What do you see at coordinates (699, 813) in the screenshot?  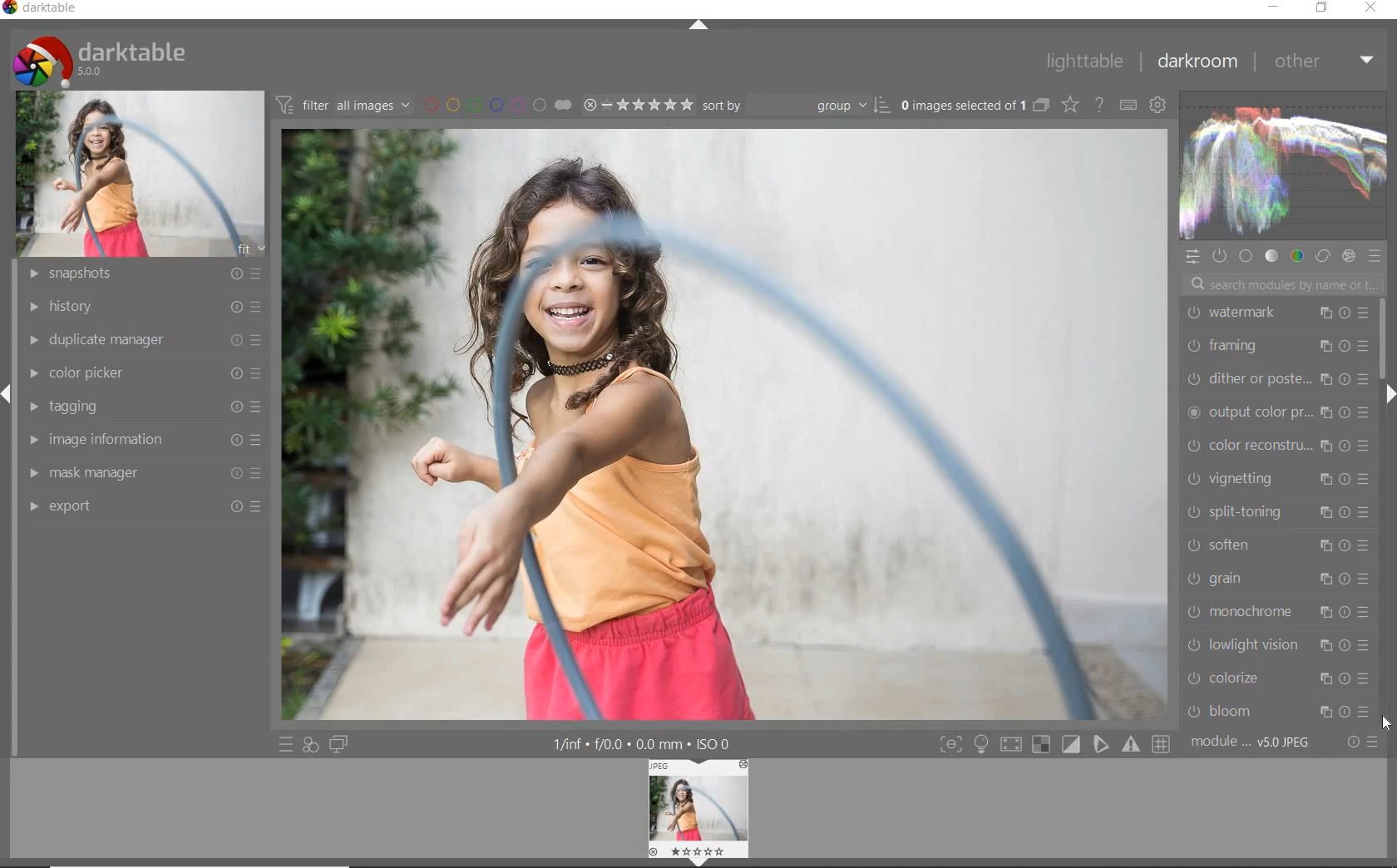 I see `image preview` at bounding box center [699, 813].